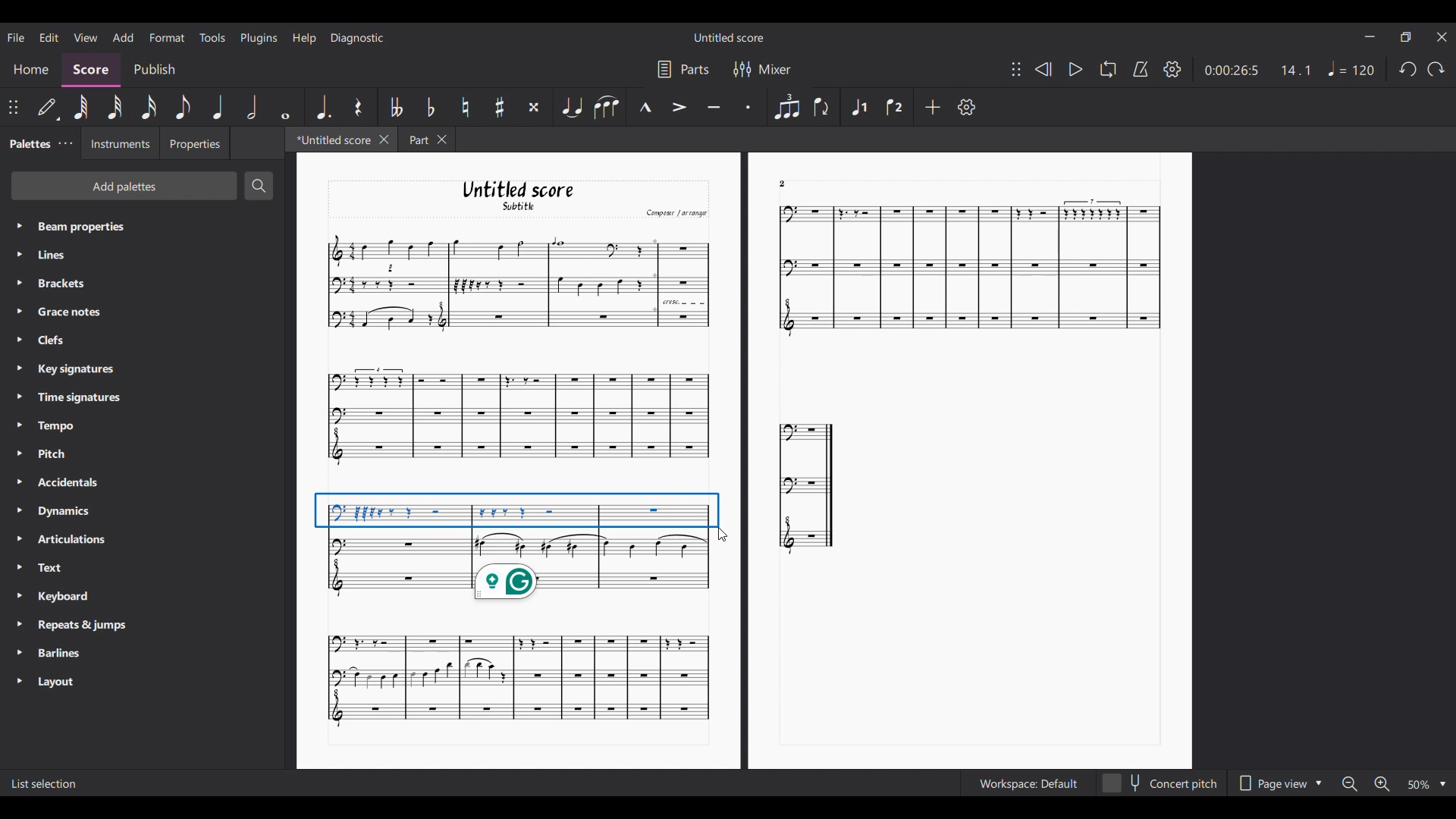  Describe the element at coordinates (1016, 69) in the screenshot. I see `Move toolbar` at that location.